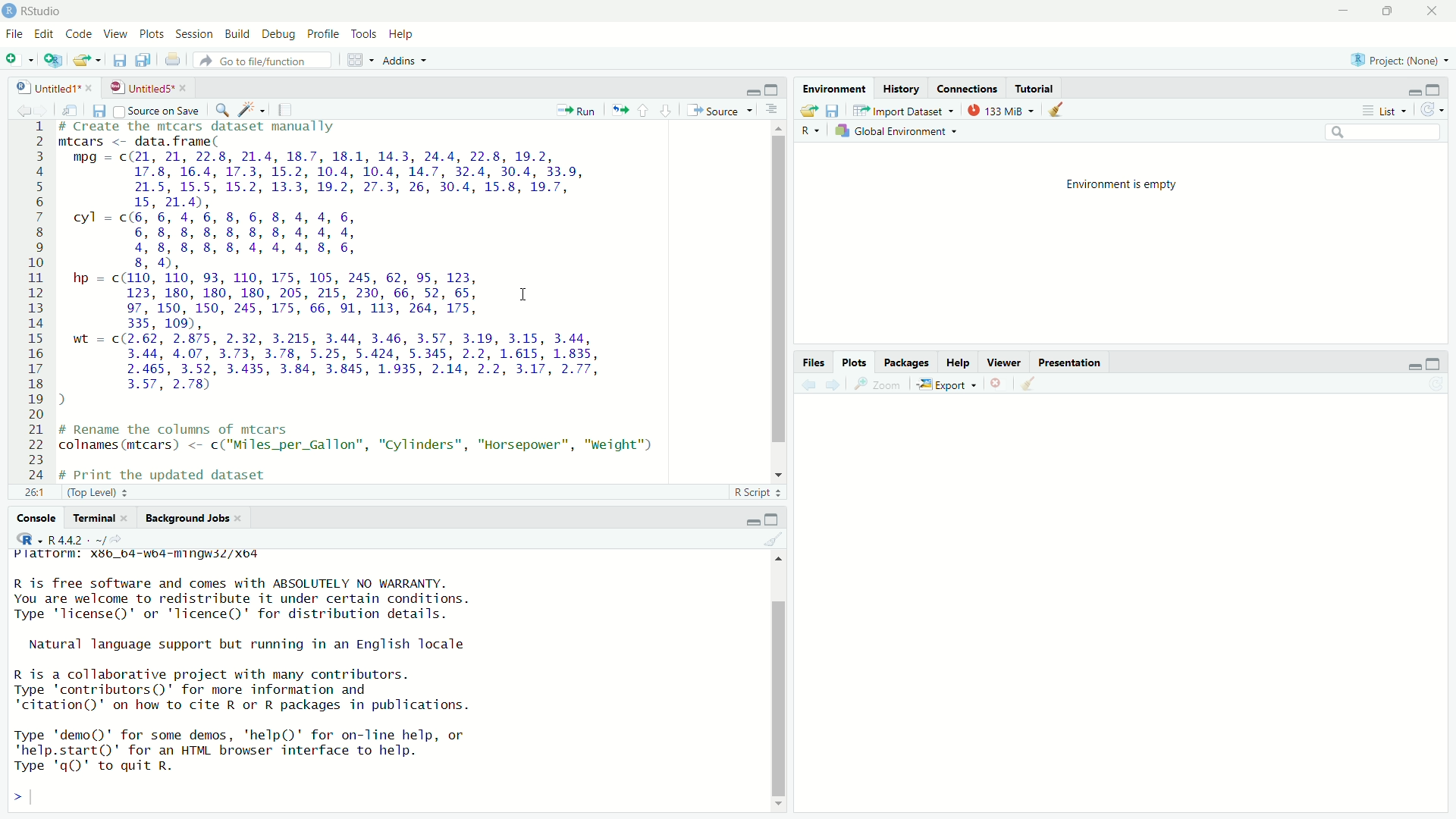 The height and width of the screenshot is (819, 1456). What do you see at coordinates (366, 35) in the screenshot?
I see `Tools` at bounding box center [366, 35].